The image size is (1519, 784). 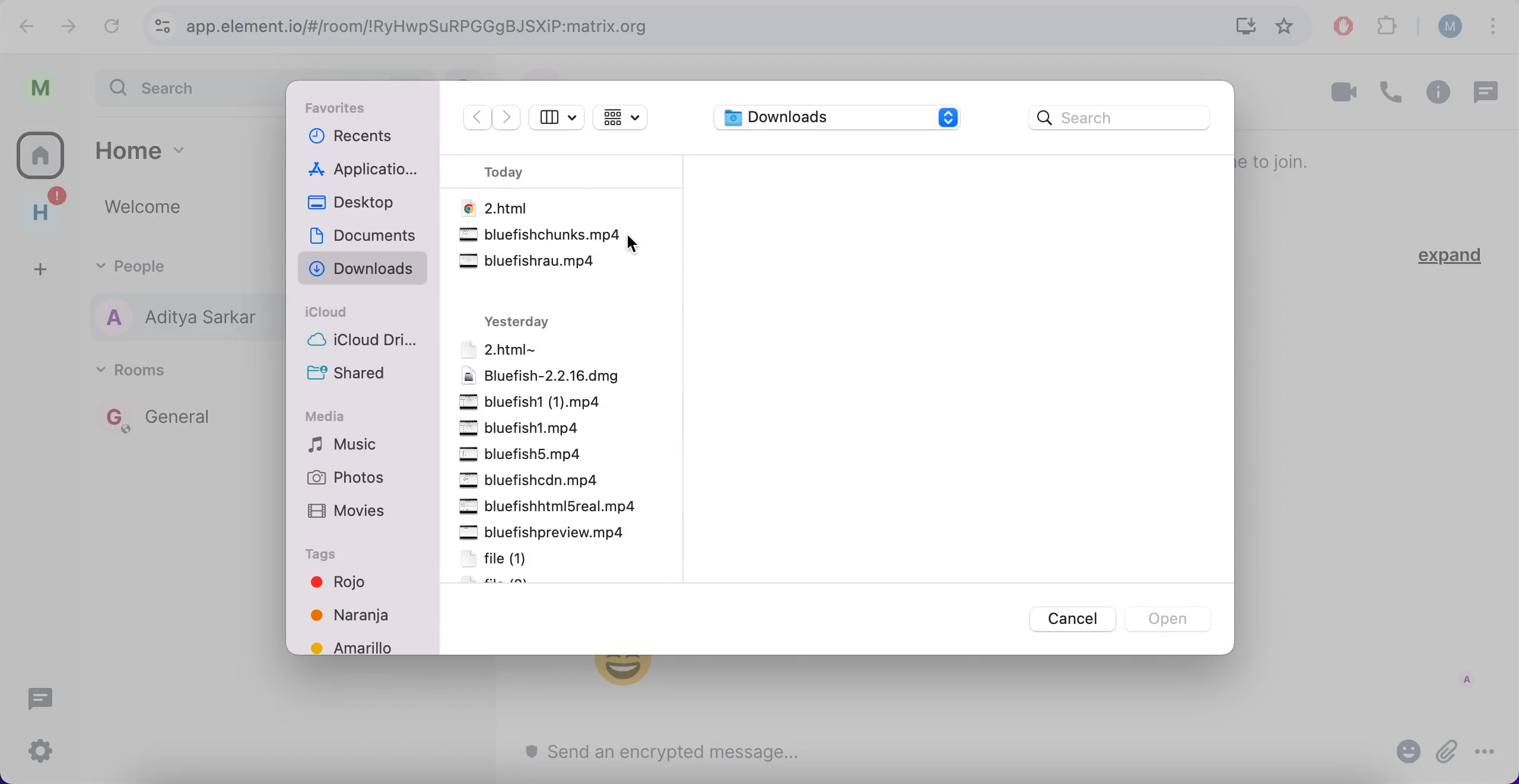 What do you see at coordinates (39, 85) in the screenshot?
I see `user` at bounding box center [39, 85].